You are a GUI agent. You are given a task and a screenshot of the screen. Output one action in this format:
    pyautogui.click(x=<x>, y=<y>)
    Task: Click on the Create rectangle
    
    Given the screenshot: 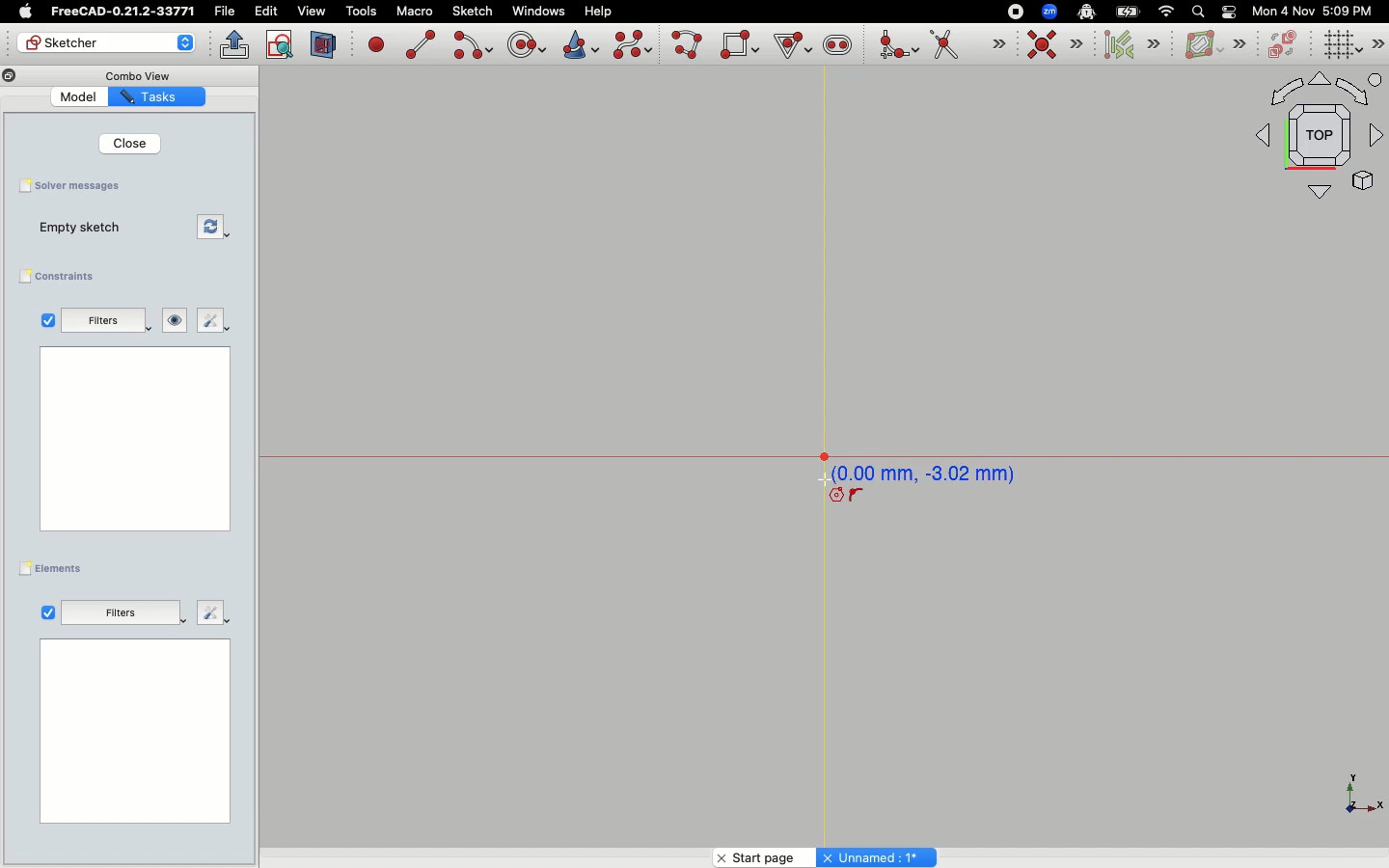 What is the action you would take?
    pyautogui.click(x=740, y=44)
    